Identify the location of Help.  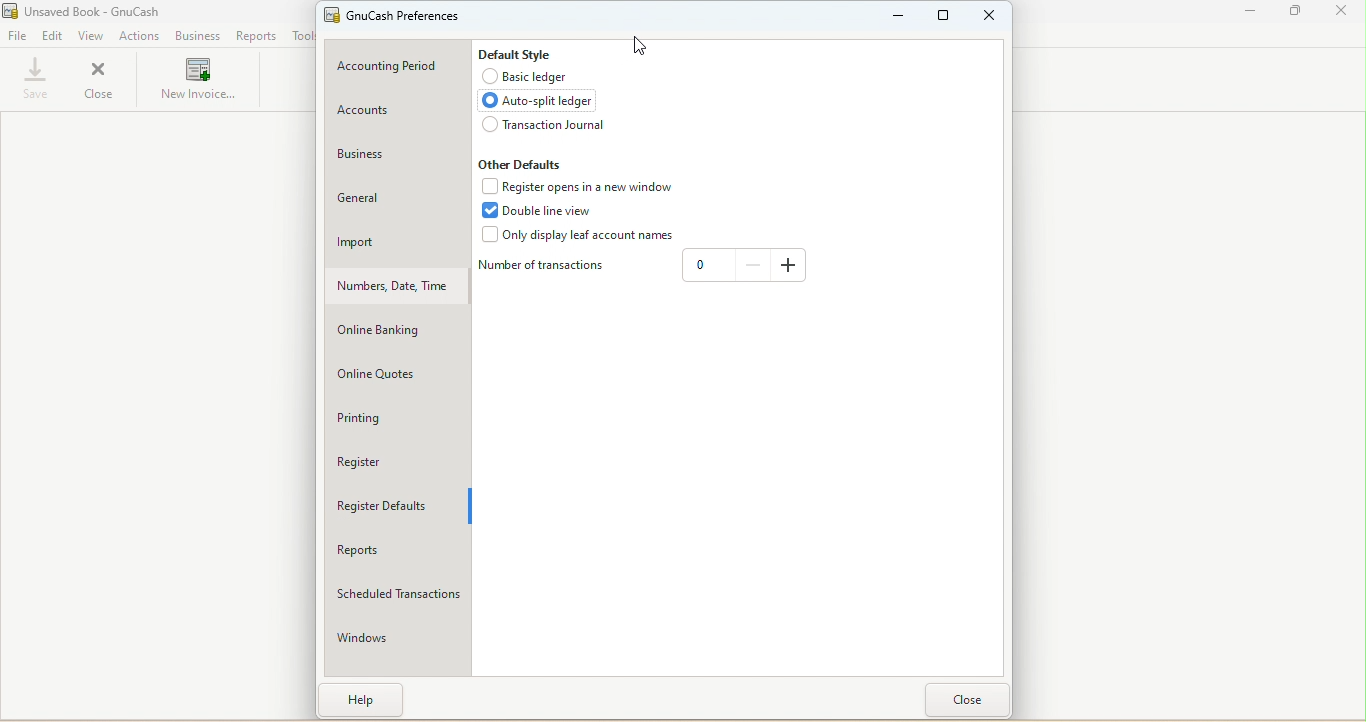
(365, 701).